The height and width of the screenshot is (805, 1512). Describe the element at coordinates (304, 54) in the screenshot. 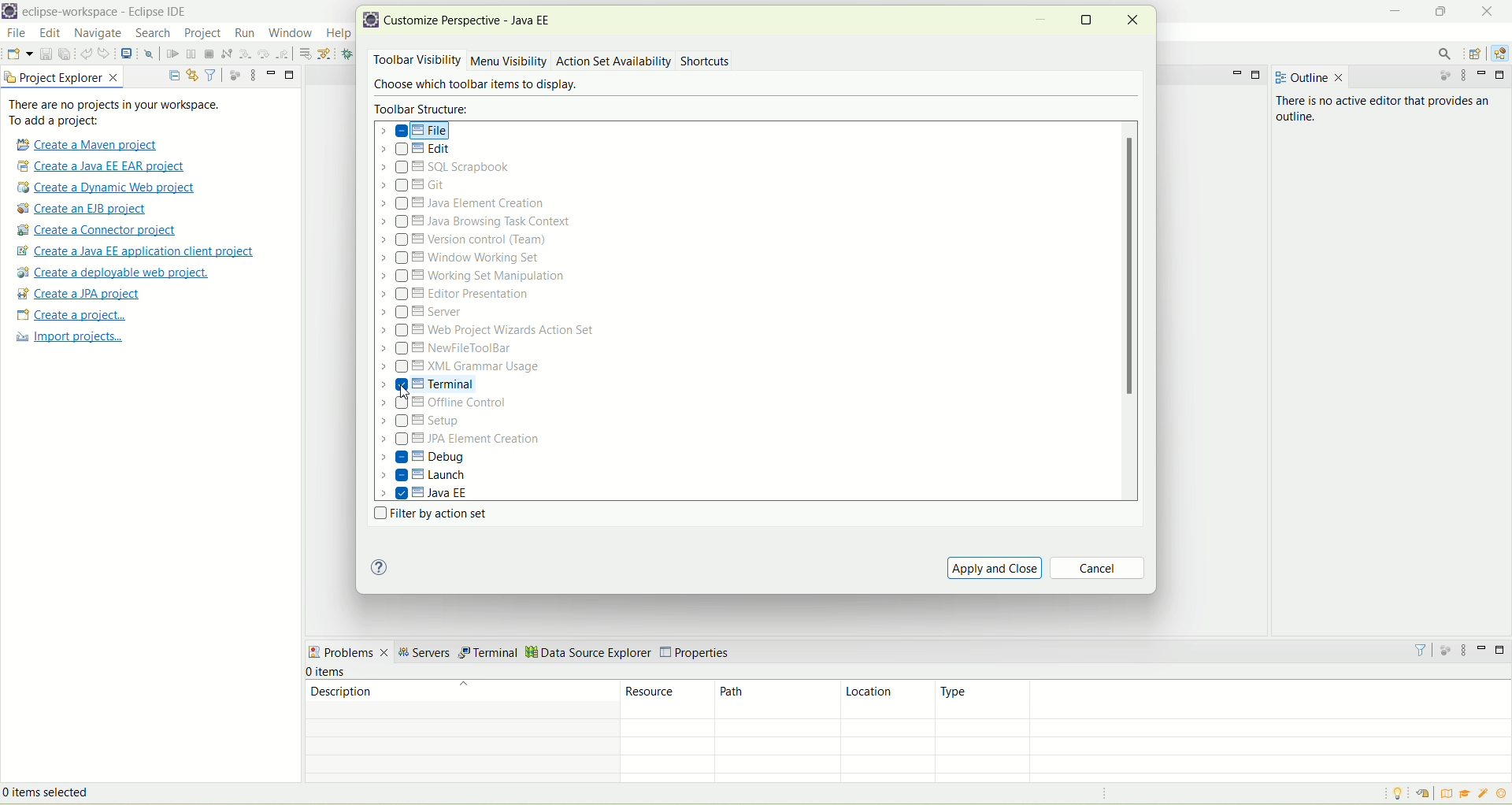

I see `drop to frame` at that location.